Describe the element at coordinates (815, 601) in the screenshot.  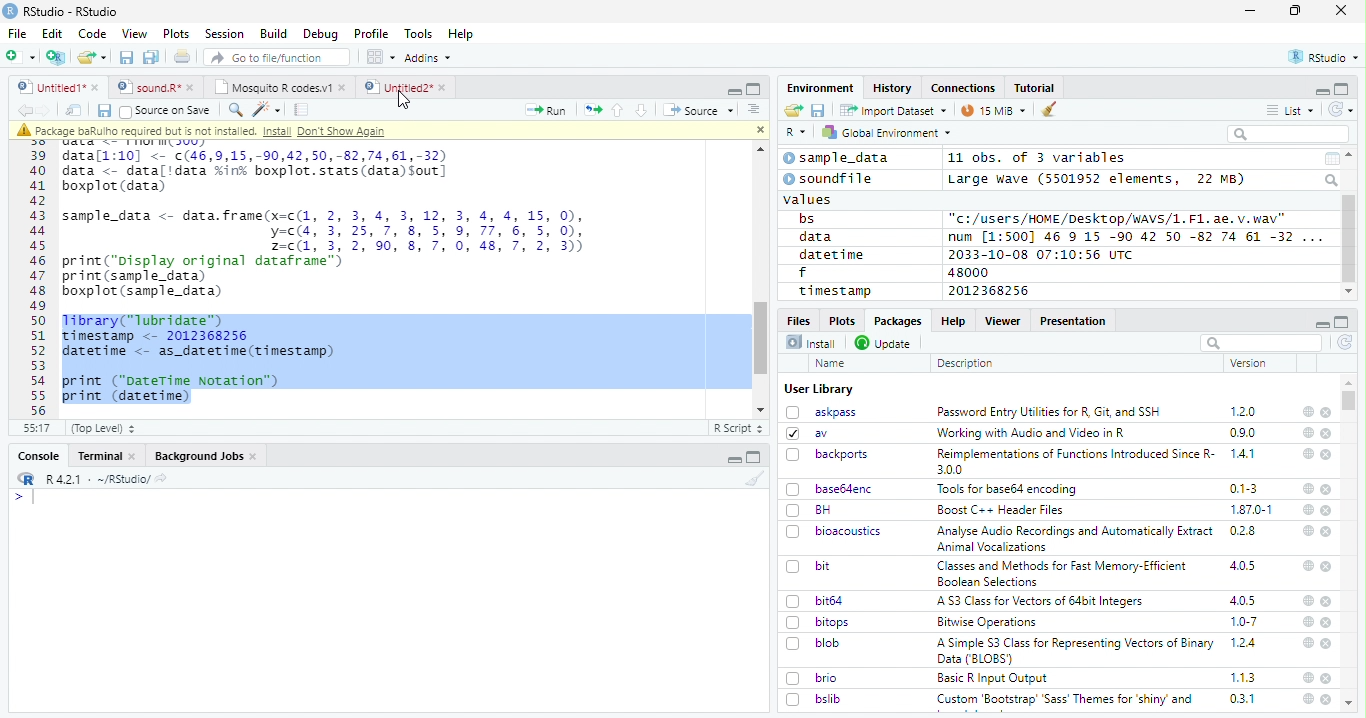
I see `bit64` at that location.